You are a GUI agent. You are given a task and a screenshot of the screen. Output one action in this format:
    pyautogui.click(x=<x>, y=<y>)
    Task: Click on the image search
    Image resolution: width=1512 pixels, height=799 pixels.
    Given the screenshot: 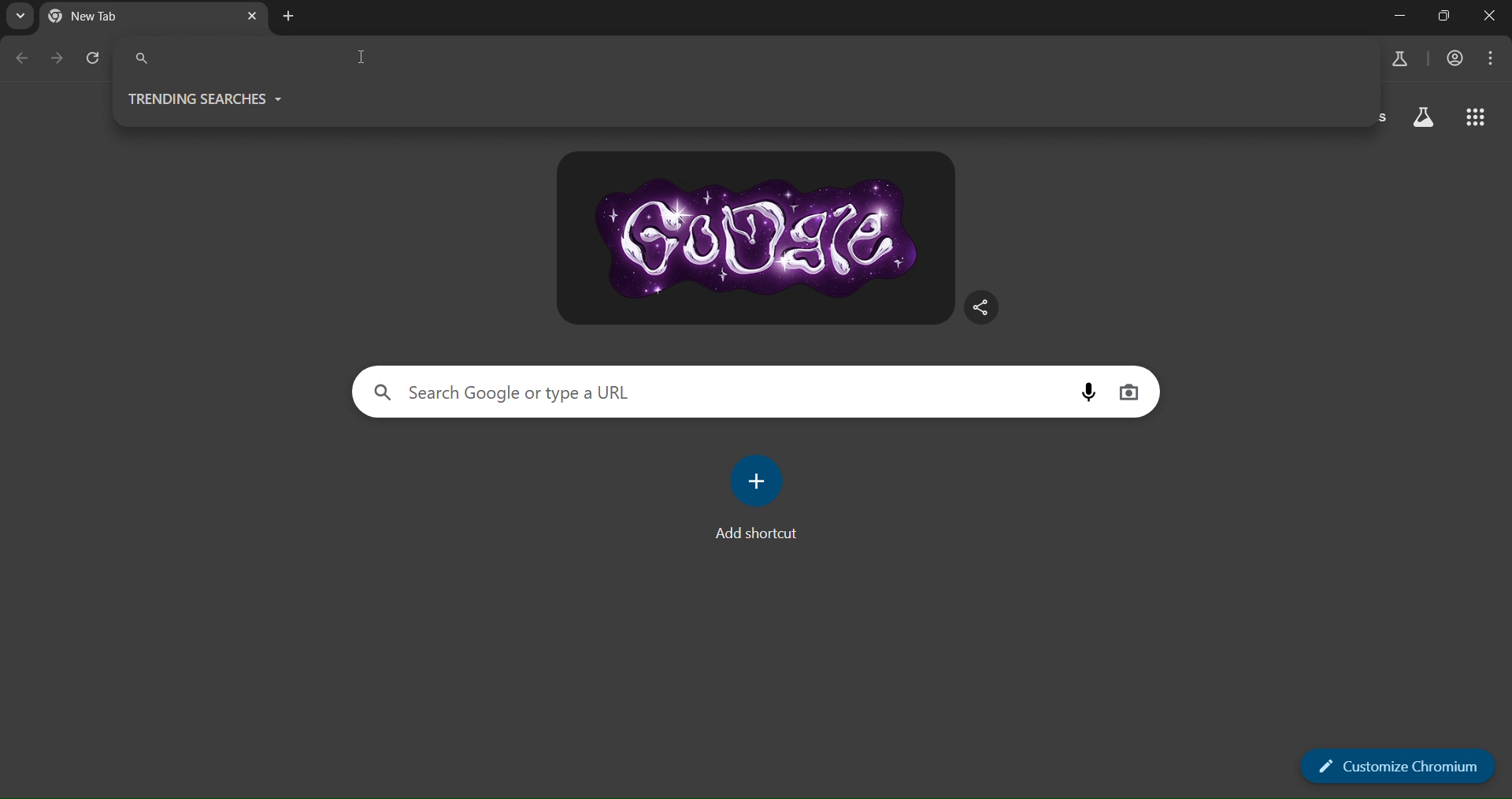 What is the action you would take?
    pyautogui.click(x=1128, y=393)
    